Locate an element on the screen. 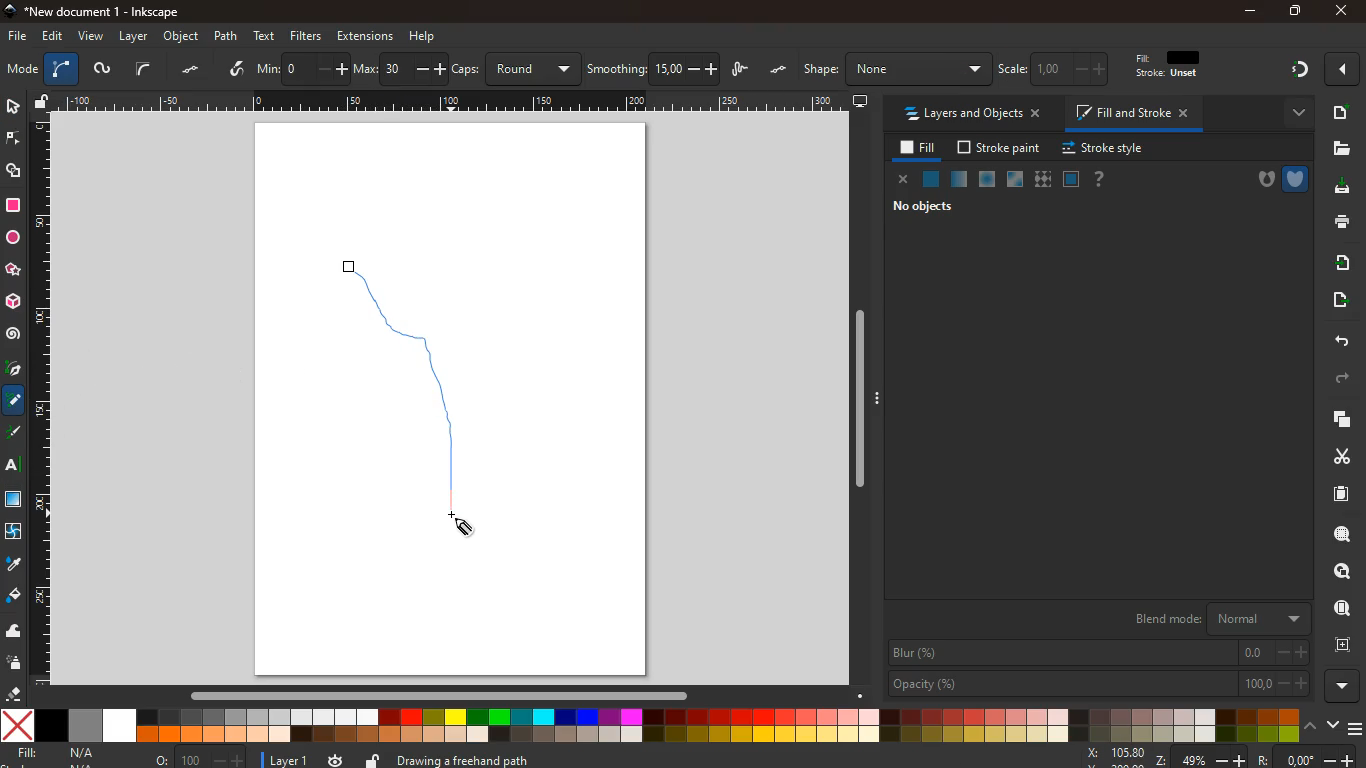 The width and height of the screenshot is (1366, 768). blur is located at coordinates (1099, 653).